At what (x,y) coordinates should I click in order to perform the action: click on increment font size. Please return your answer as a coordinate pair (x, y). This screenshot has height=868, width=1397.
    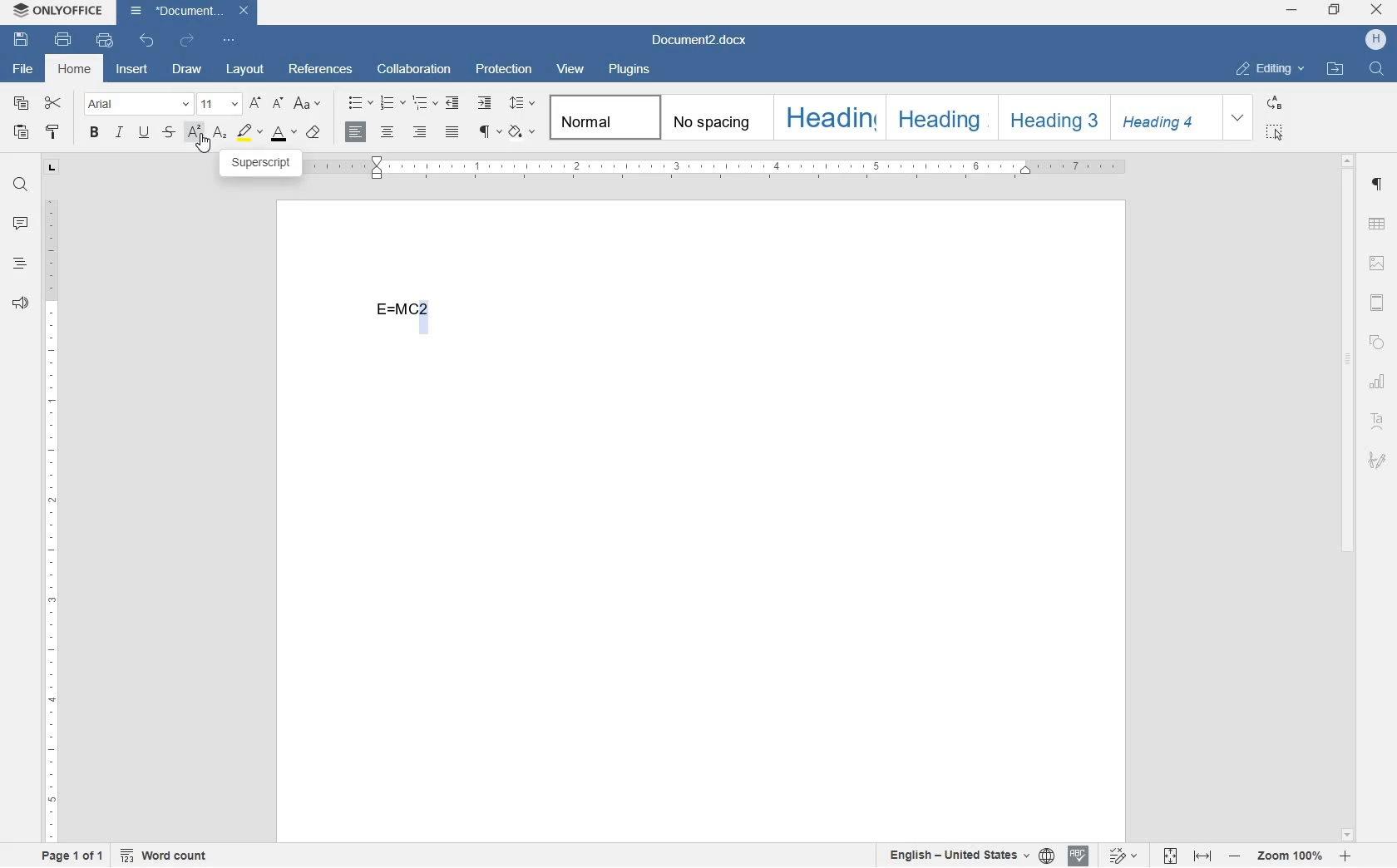
    Looking at the image, I should click on (254, 104).